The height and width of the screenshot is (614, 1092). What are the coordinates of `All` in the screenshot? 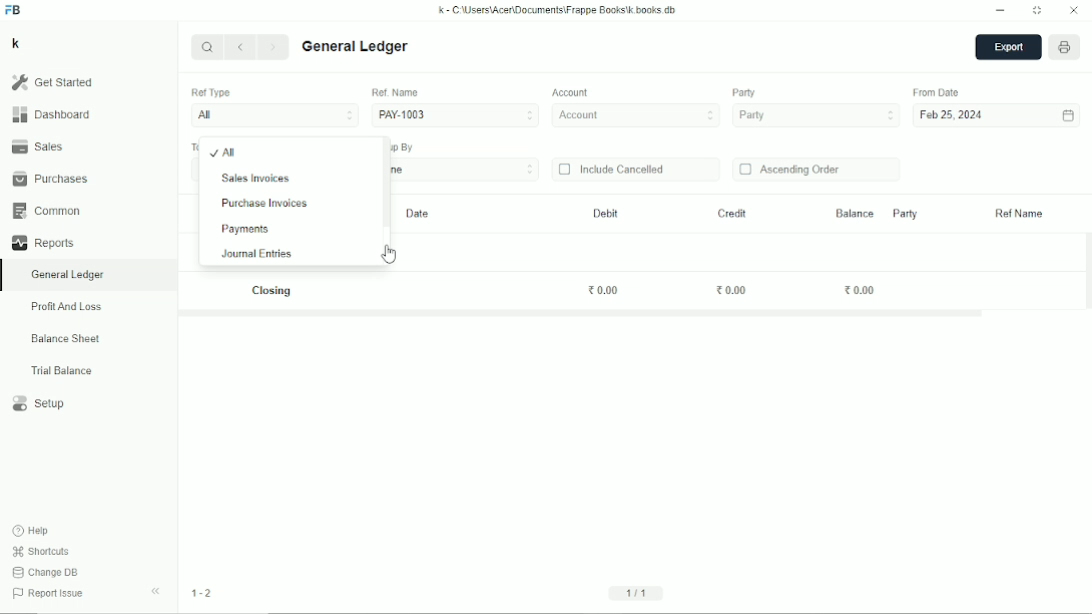 It's located at (274, 116).